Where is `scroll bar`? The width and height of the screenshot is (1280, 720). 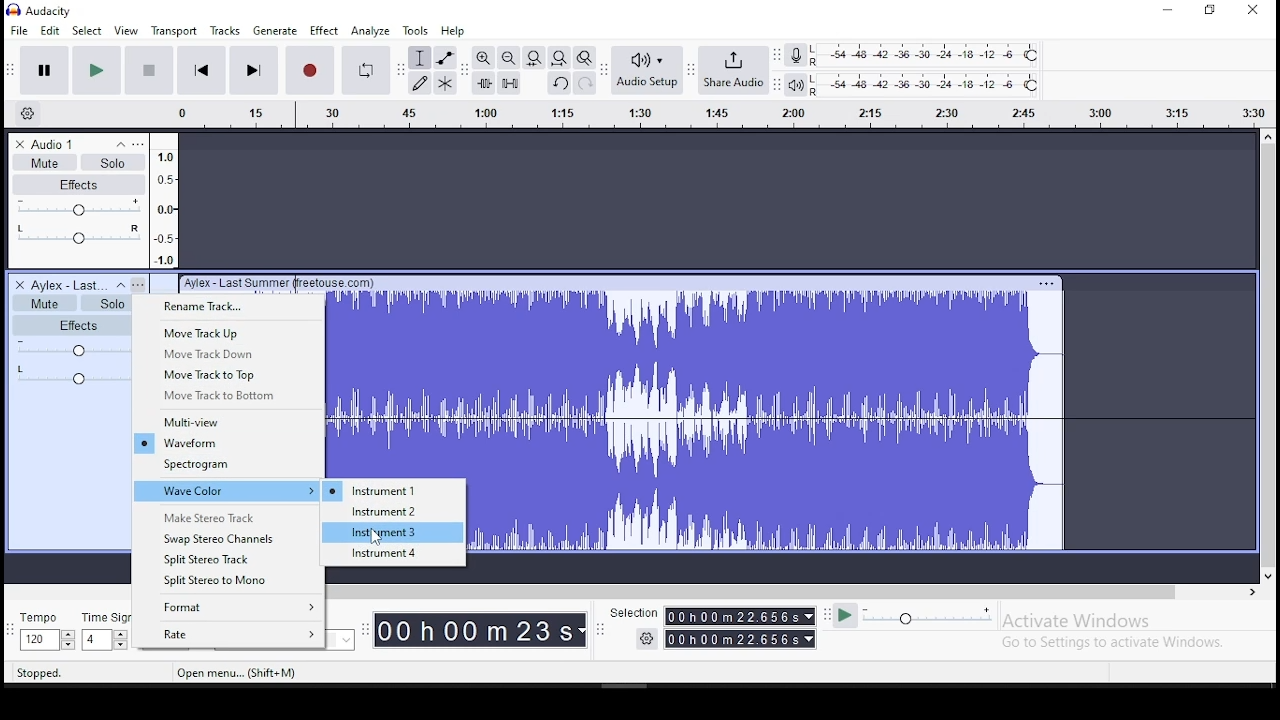
scroll bar is located at coordinates (788, 591).